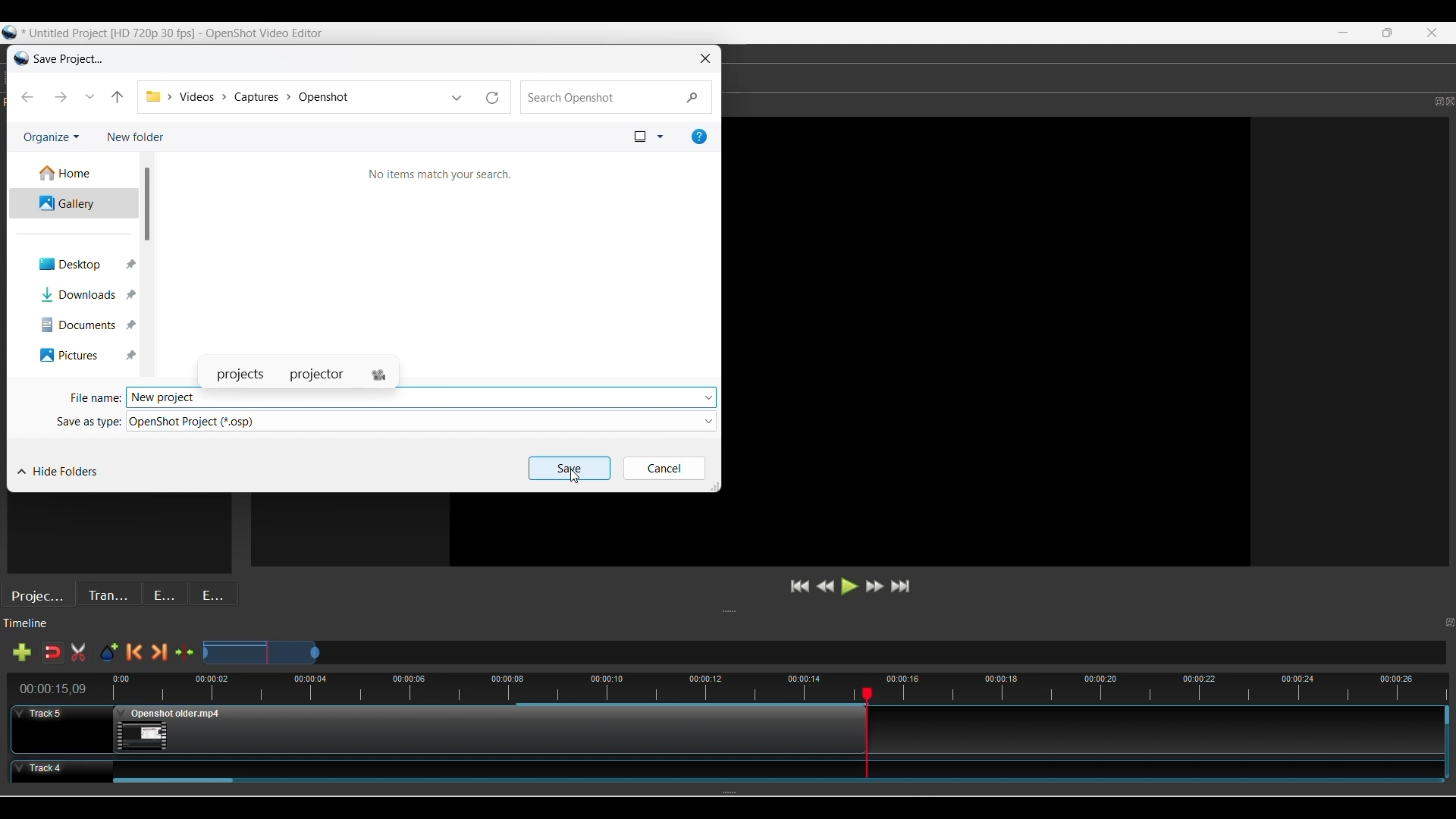 This screenshot has width=1456, height=819. I want to click on Clip at Track Panel, so click(492, 731).